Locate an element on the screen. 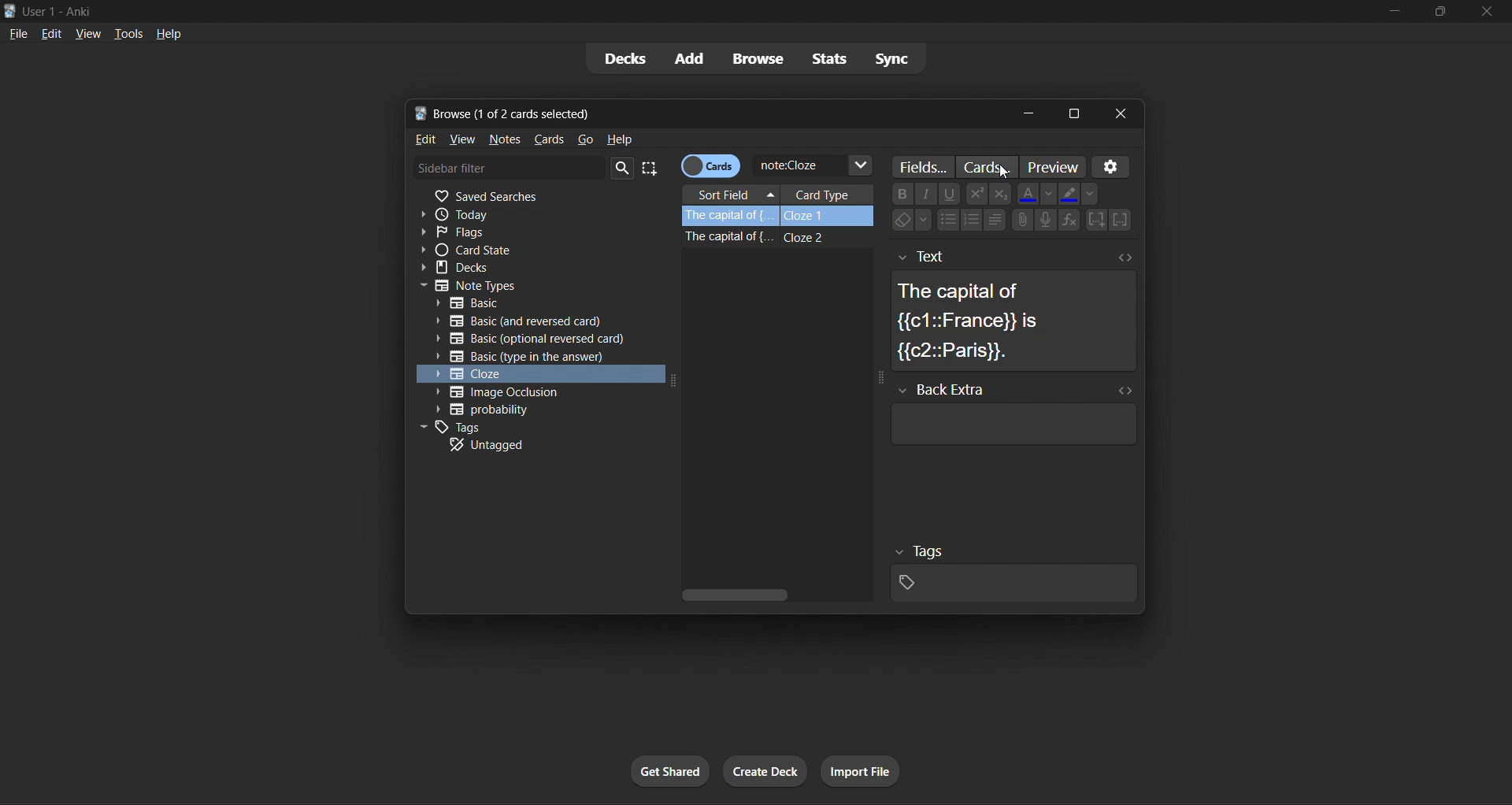 The image size is (1512, 805). add is located at coordinates (689, 57).